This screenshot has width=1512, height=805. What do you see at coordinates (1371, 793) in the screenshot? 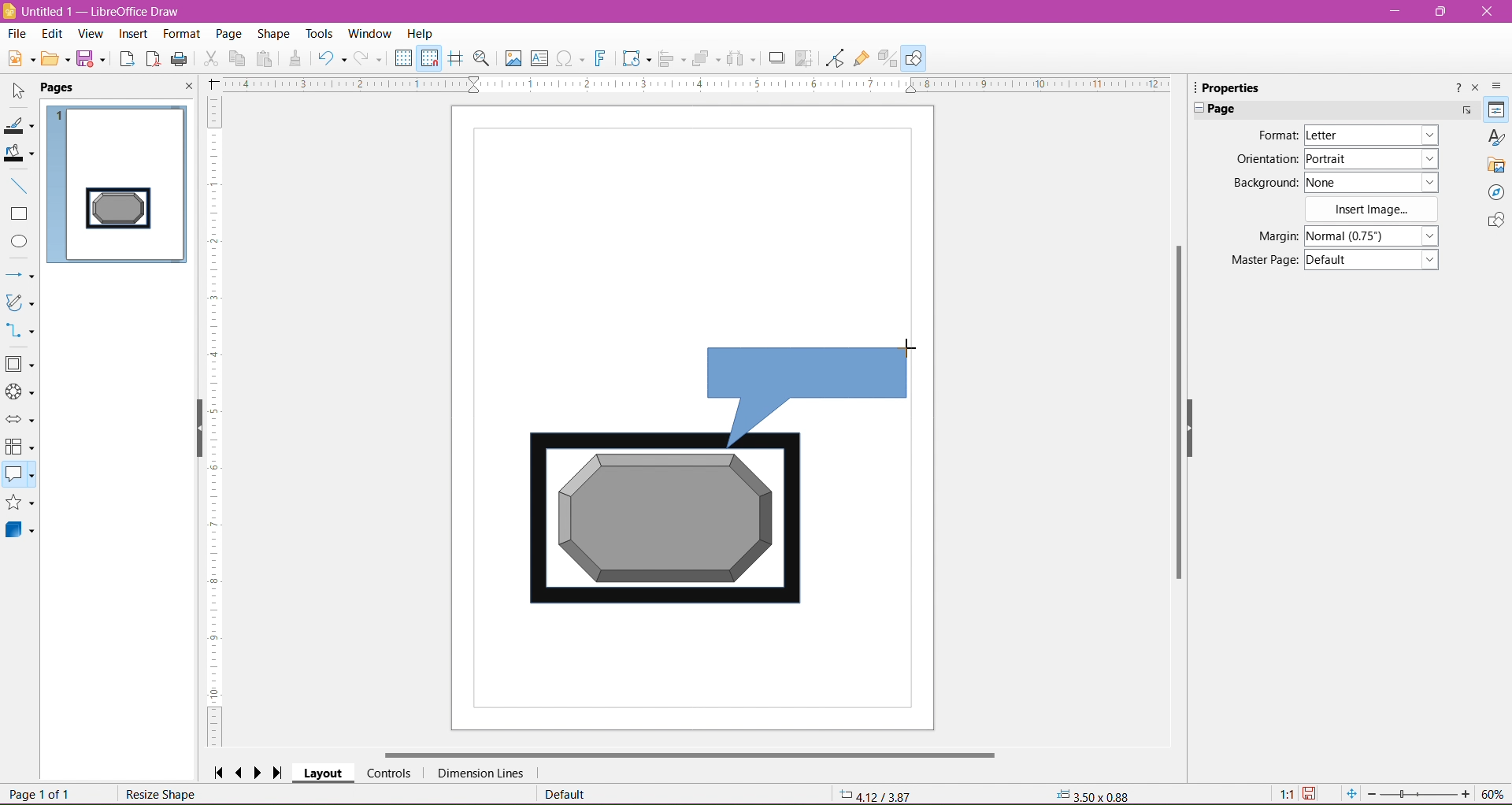
I see `Zoom Out` at bounding box center [1371, 793].